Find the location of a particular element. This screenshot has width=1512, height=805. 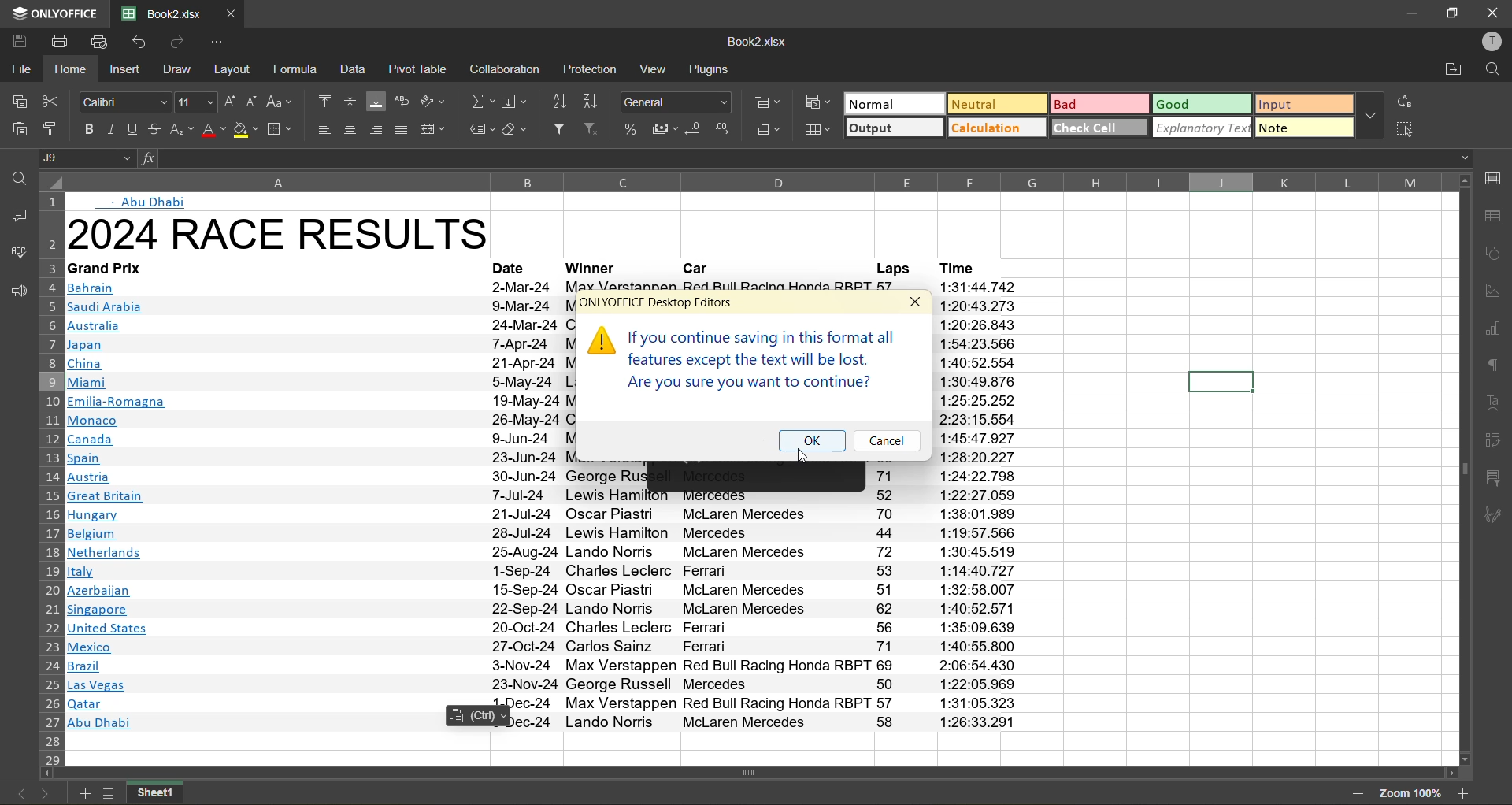

text info is located at coordinates (543, 553).